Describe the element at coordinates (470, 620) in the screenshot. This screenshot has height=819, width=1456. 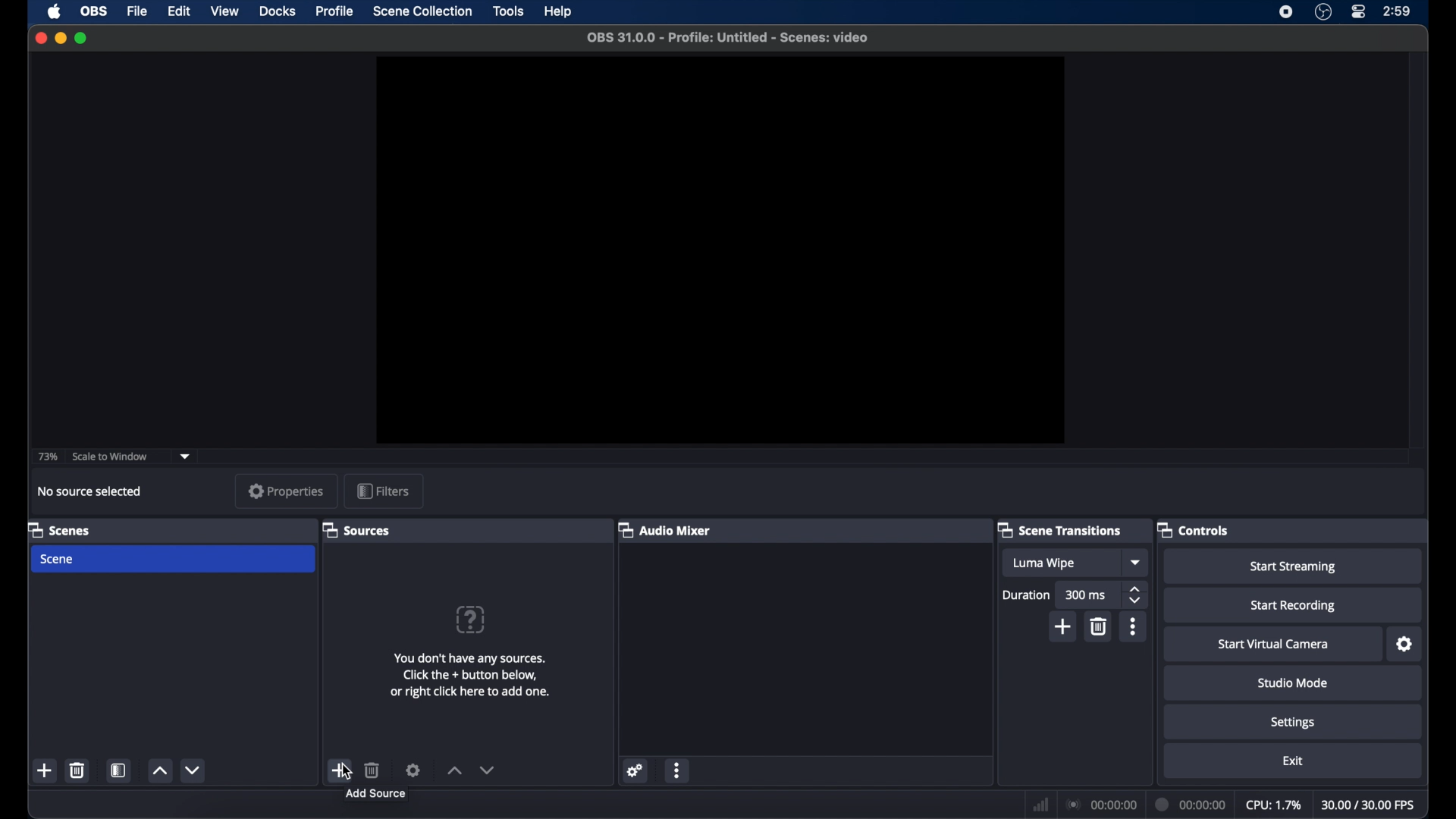
I see `question mark icon` at that location.